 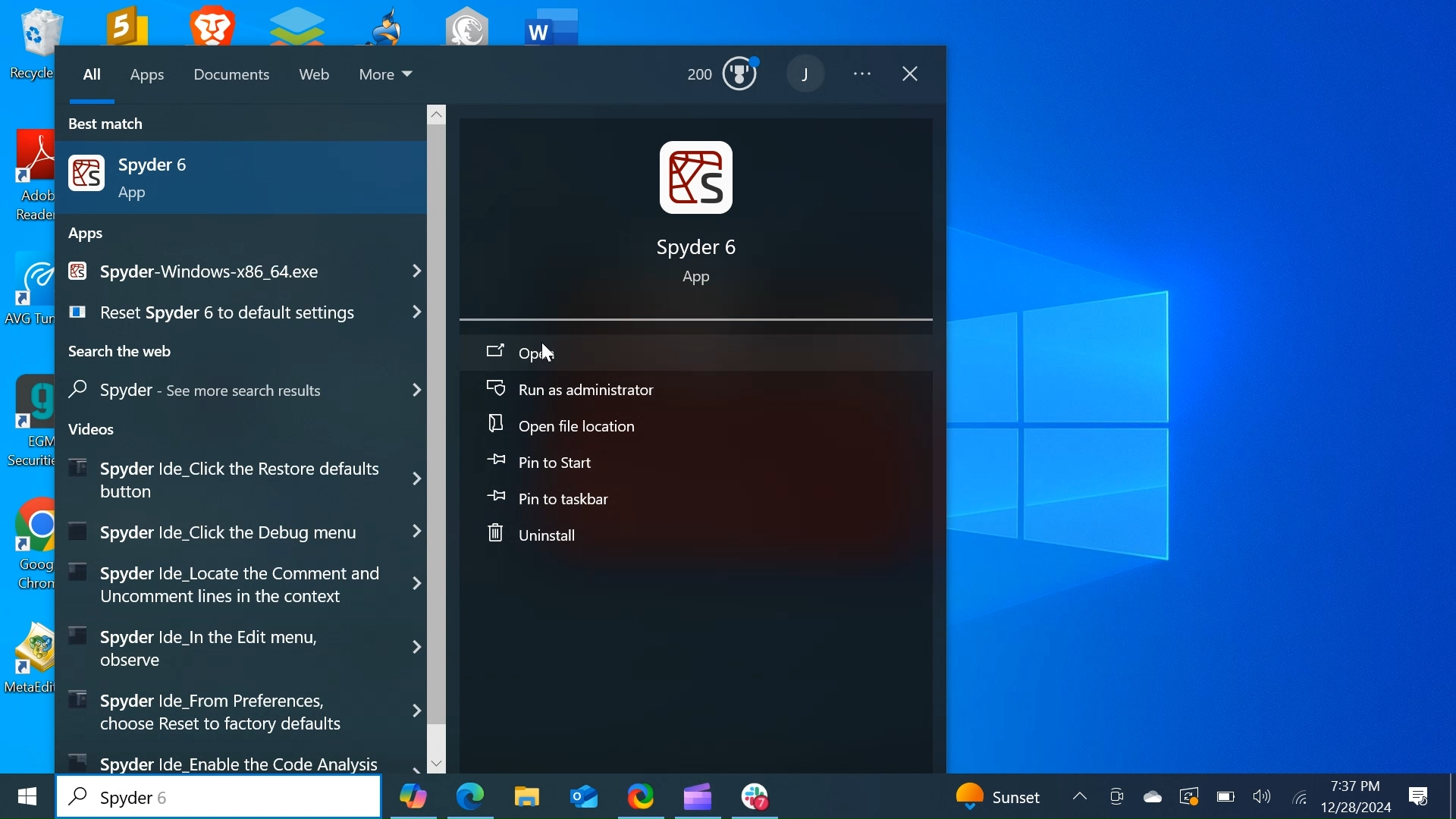 I want to click on Web, so click(x=317, y=77).